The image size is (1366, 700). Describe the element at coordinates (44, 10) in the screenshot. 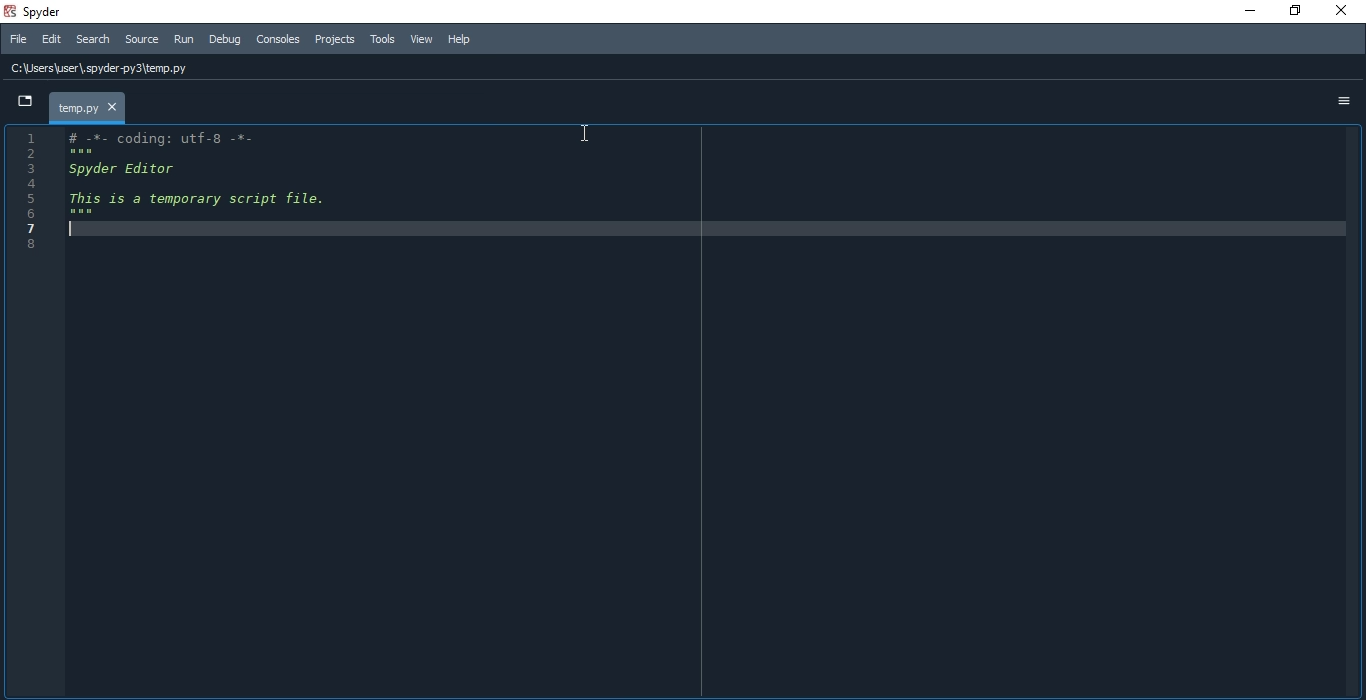

I see `spyder` at that location.